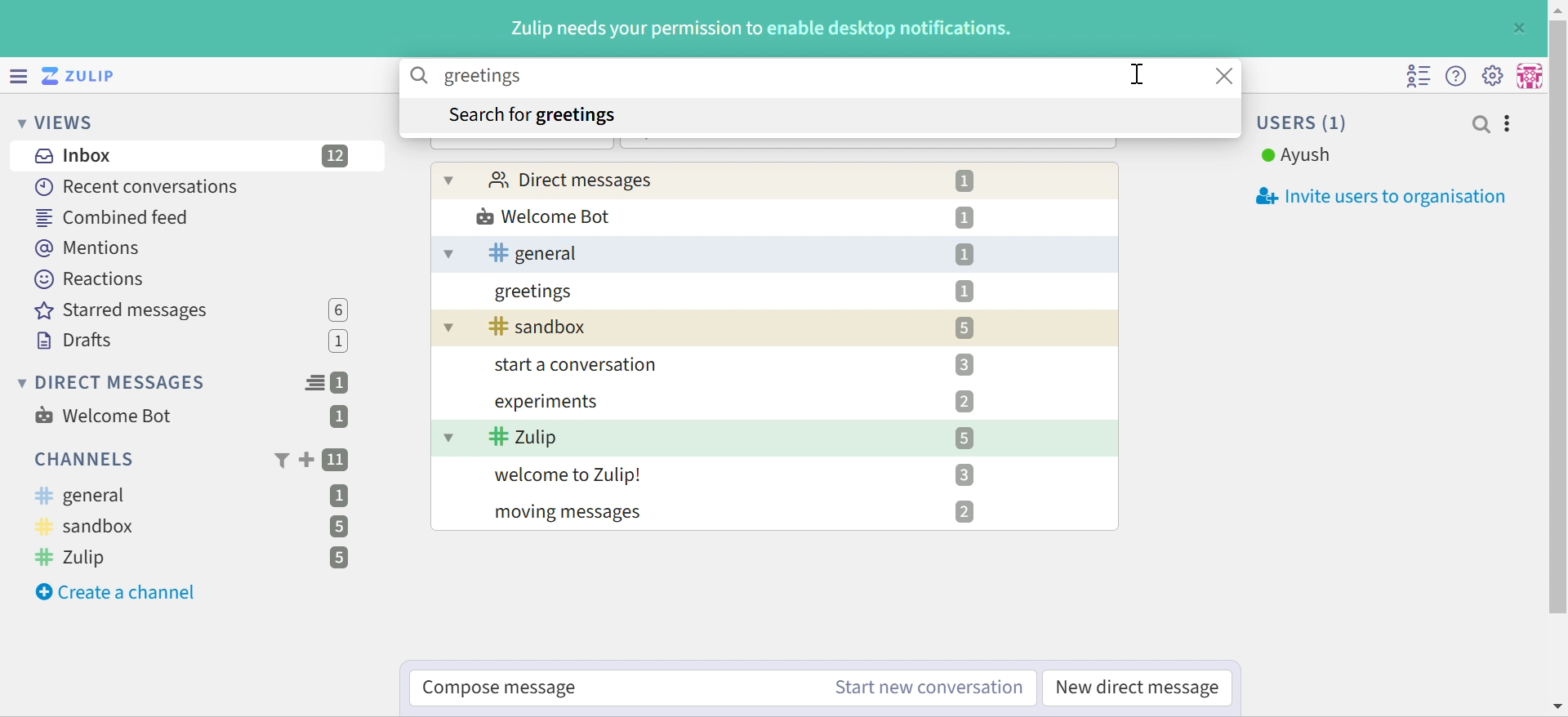 The height and width of the screenshot is (717, 1568). What do you see at coordinates (89, 249) in the screenshot?
I see `@Mentions` at bounding box center [89, 249].